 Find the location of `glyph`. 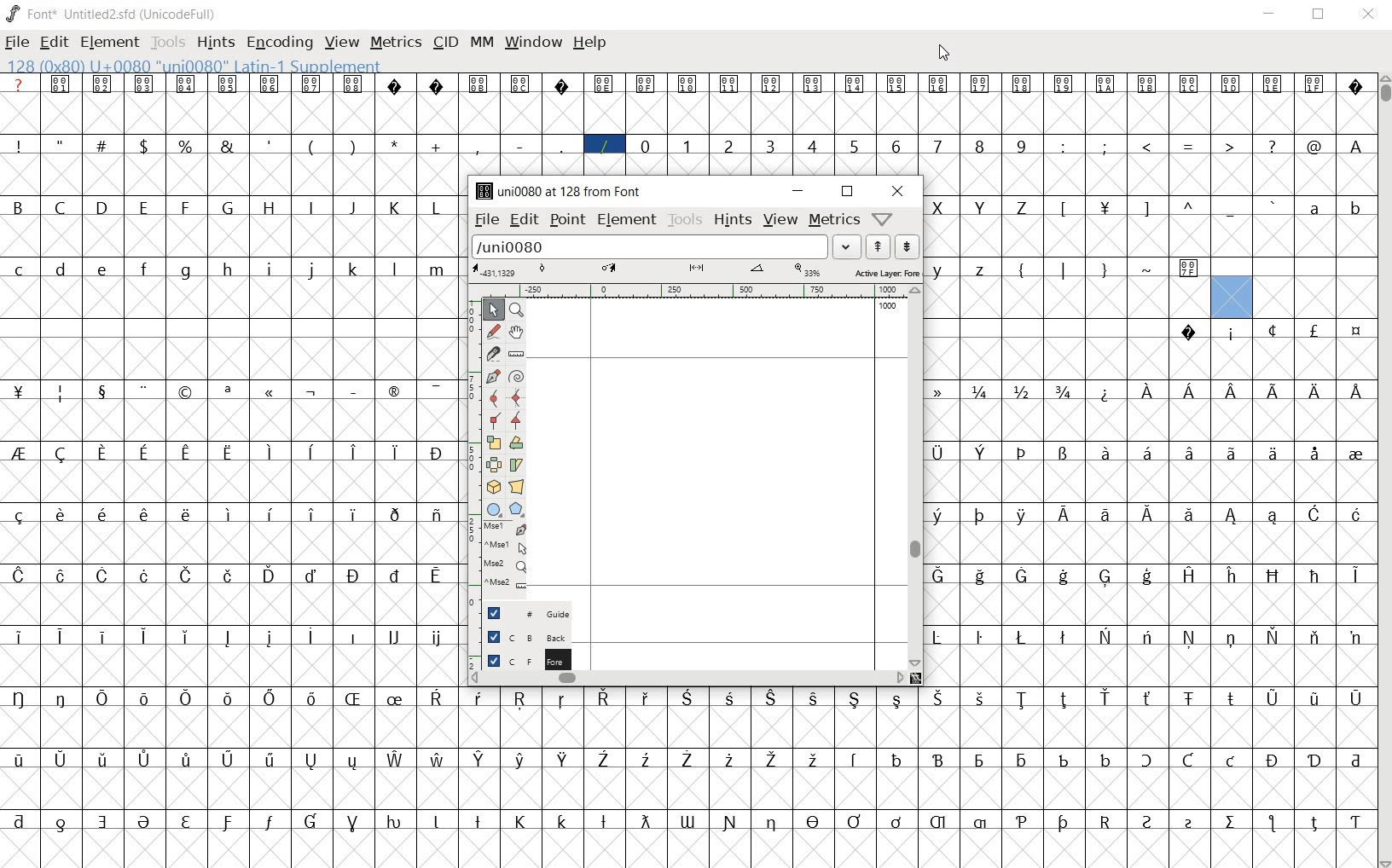

glyph is located at coordinates (1232, 453).